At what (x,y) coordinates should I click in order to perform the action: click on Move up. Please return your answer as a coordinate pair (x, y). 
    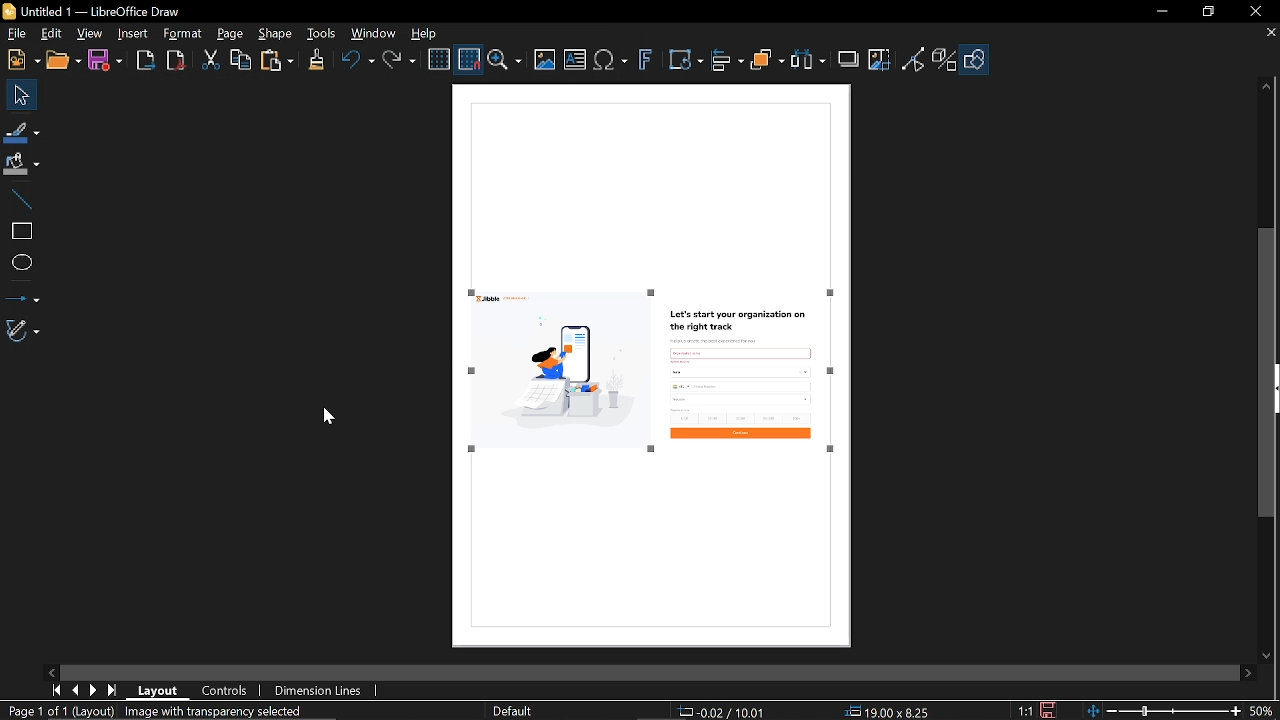
    Looking at the image, I should click on (1266, 90).